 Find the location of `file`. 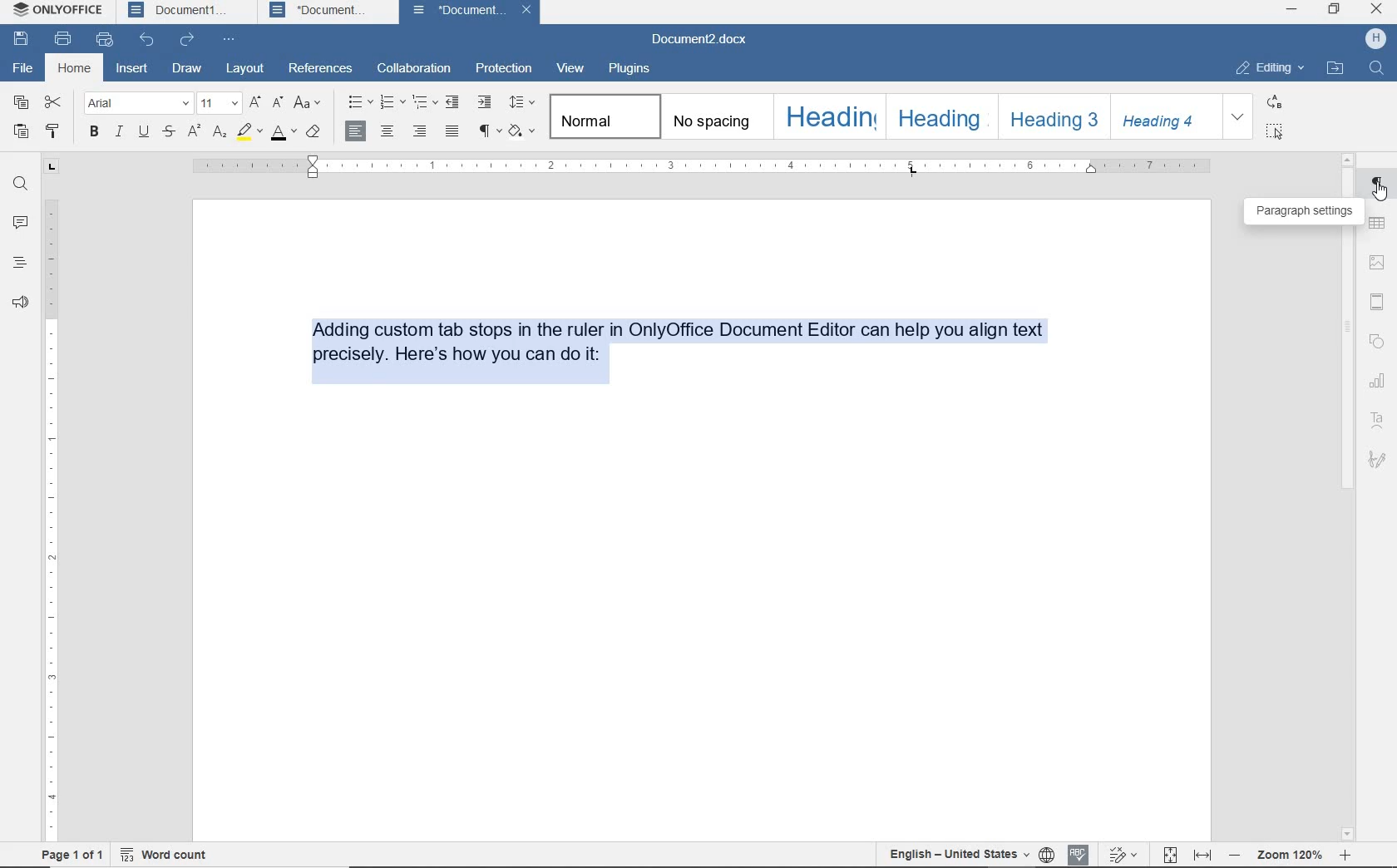

file is located at coordinates (24, 68).